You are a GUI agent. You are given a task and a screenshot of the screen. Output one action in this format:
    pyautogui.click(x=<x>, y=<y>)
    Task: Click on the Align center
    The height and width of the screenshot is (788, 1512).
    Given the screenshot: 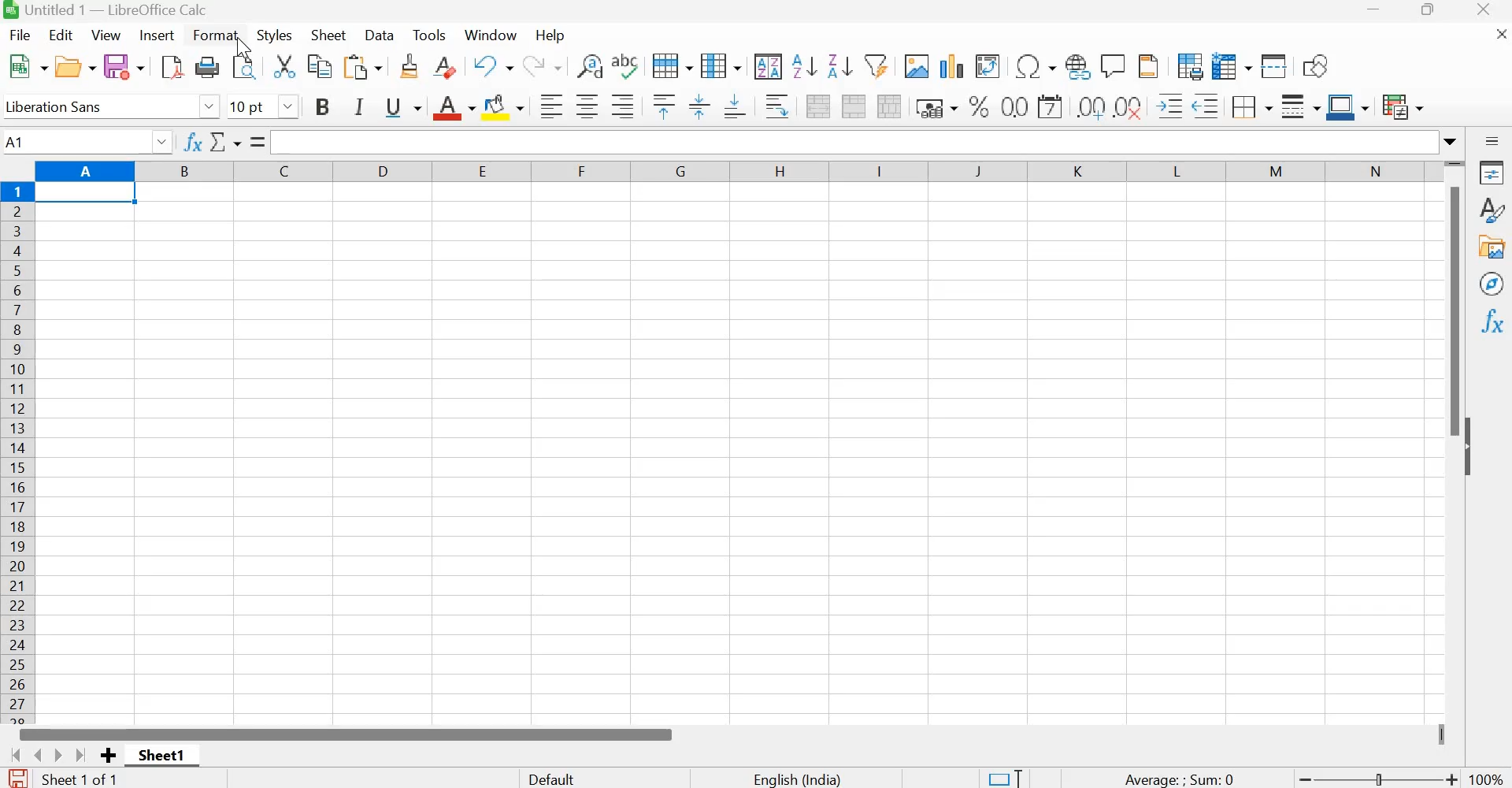 What is the action you would take?
    pyautogui.click(x=588, y=106)
    